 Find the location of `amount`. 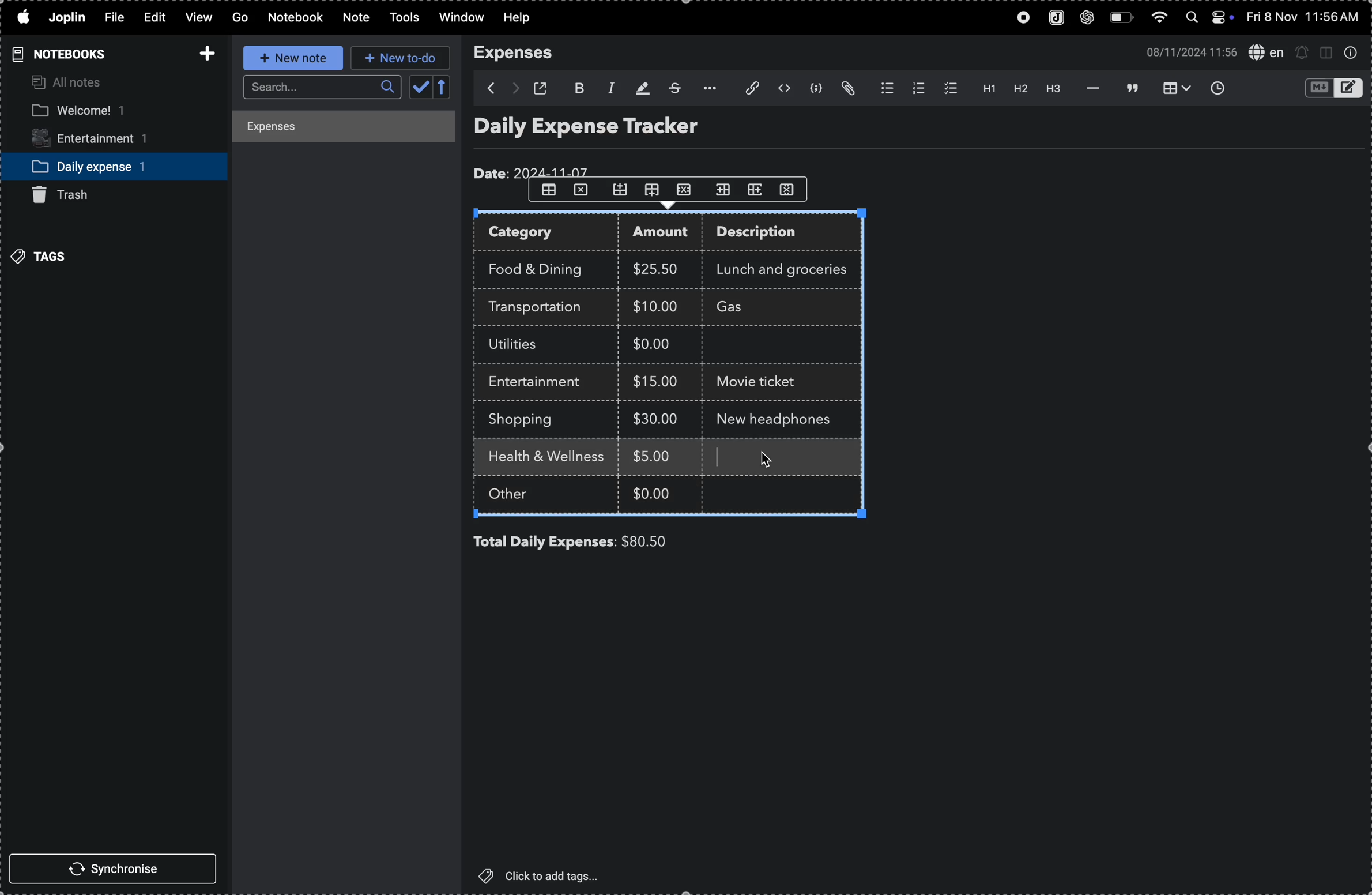

amount is located at coordinates (665, 234).